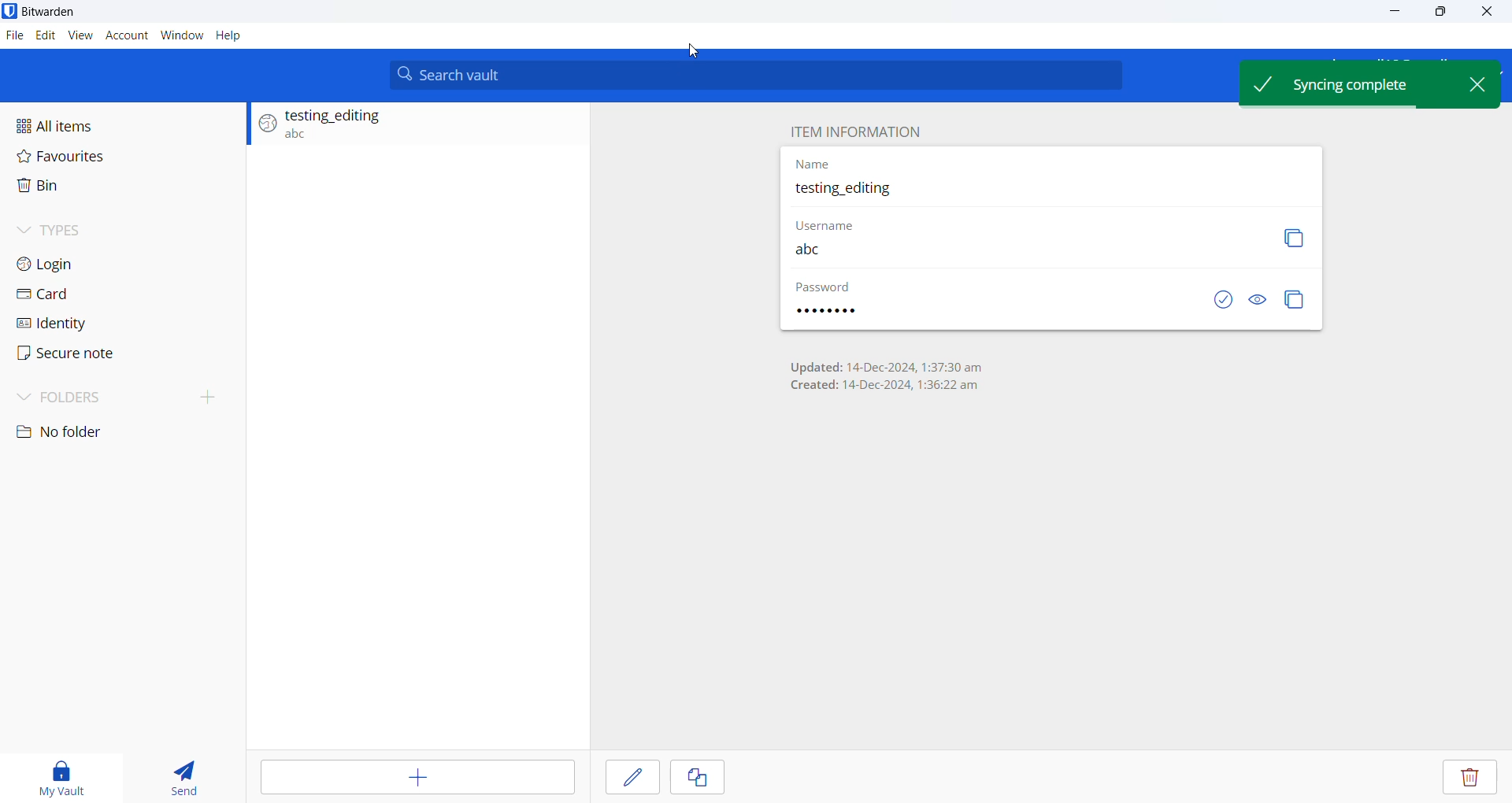  Describe the element at coordinates (415, 778) in the screenshot. I see `Add item` at that location.